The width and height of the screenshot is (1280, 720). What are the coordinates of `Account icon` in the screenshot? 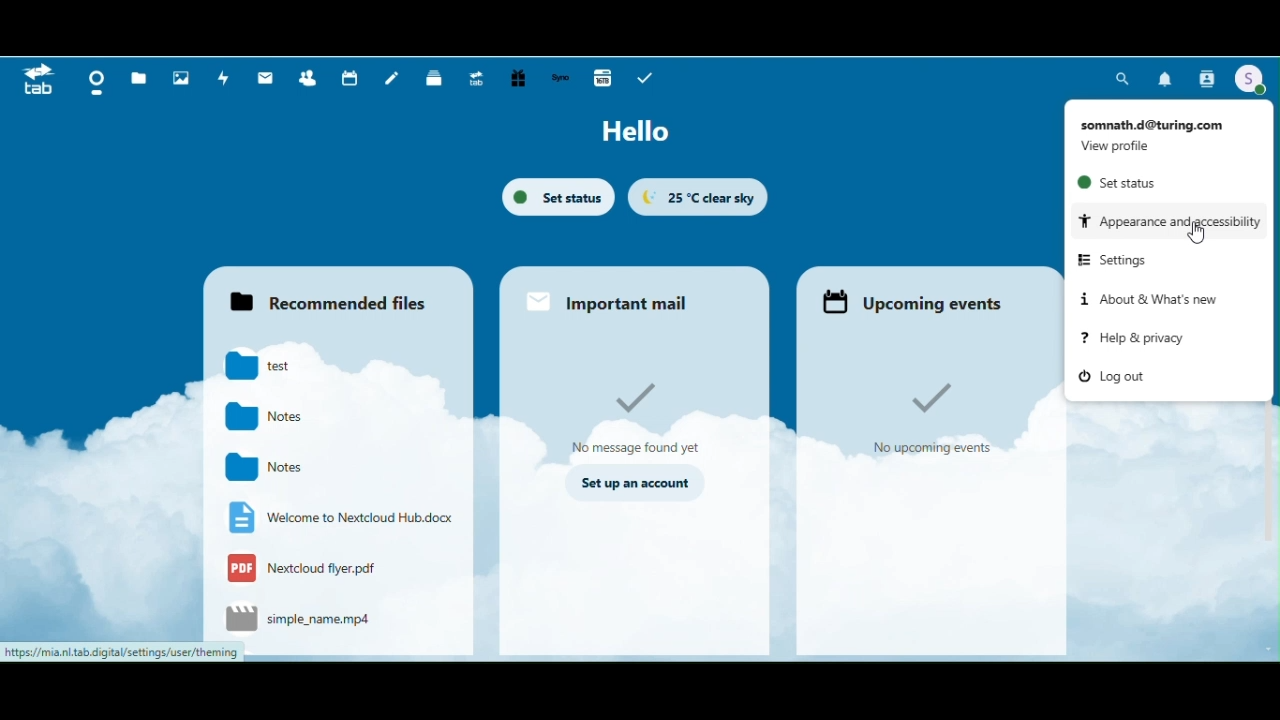 It's located at (1251, 80).